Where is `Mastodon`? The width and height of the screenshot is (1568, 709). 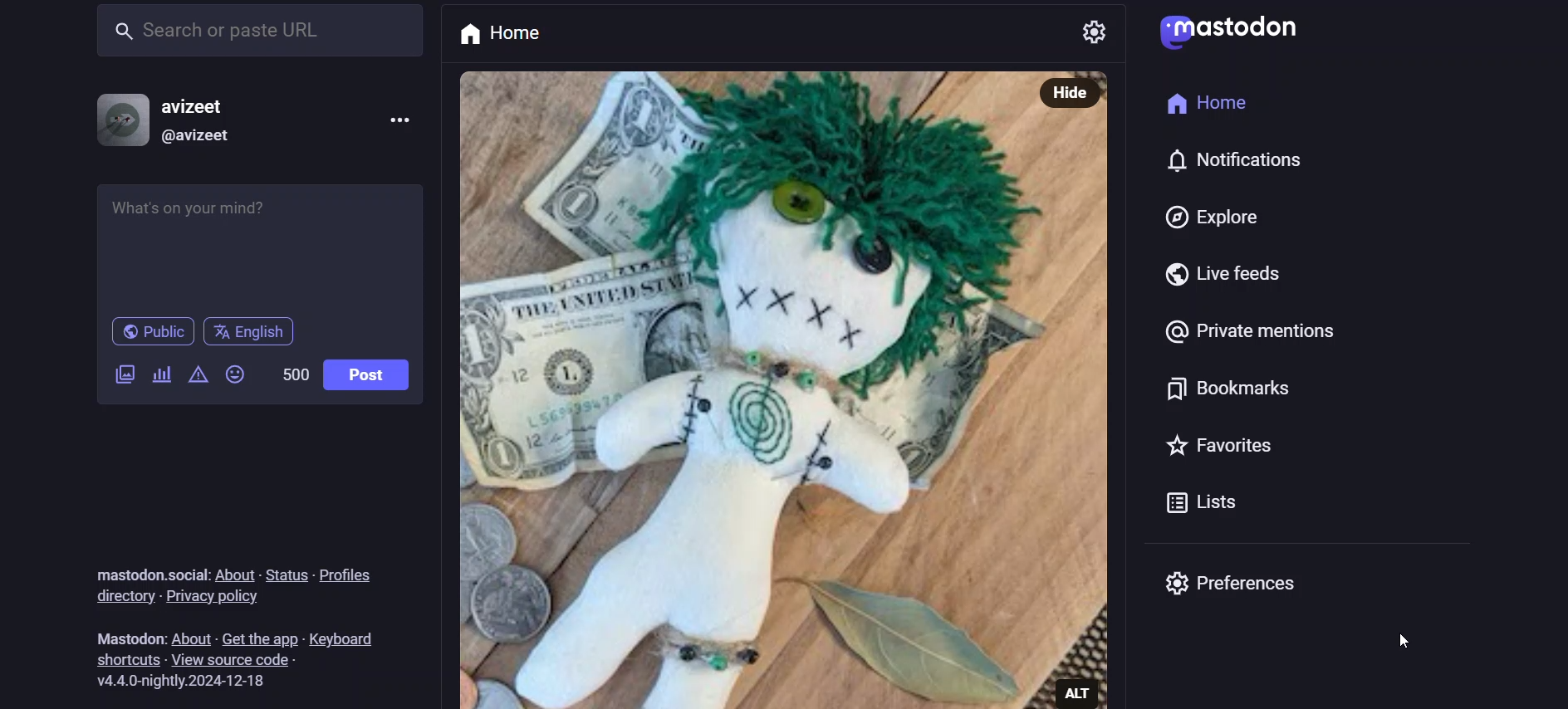
Mastodon is located at coordinates (130, 638).